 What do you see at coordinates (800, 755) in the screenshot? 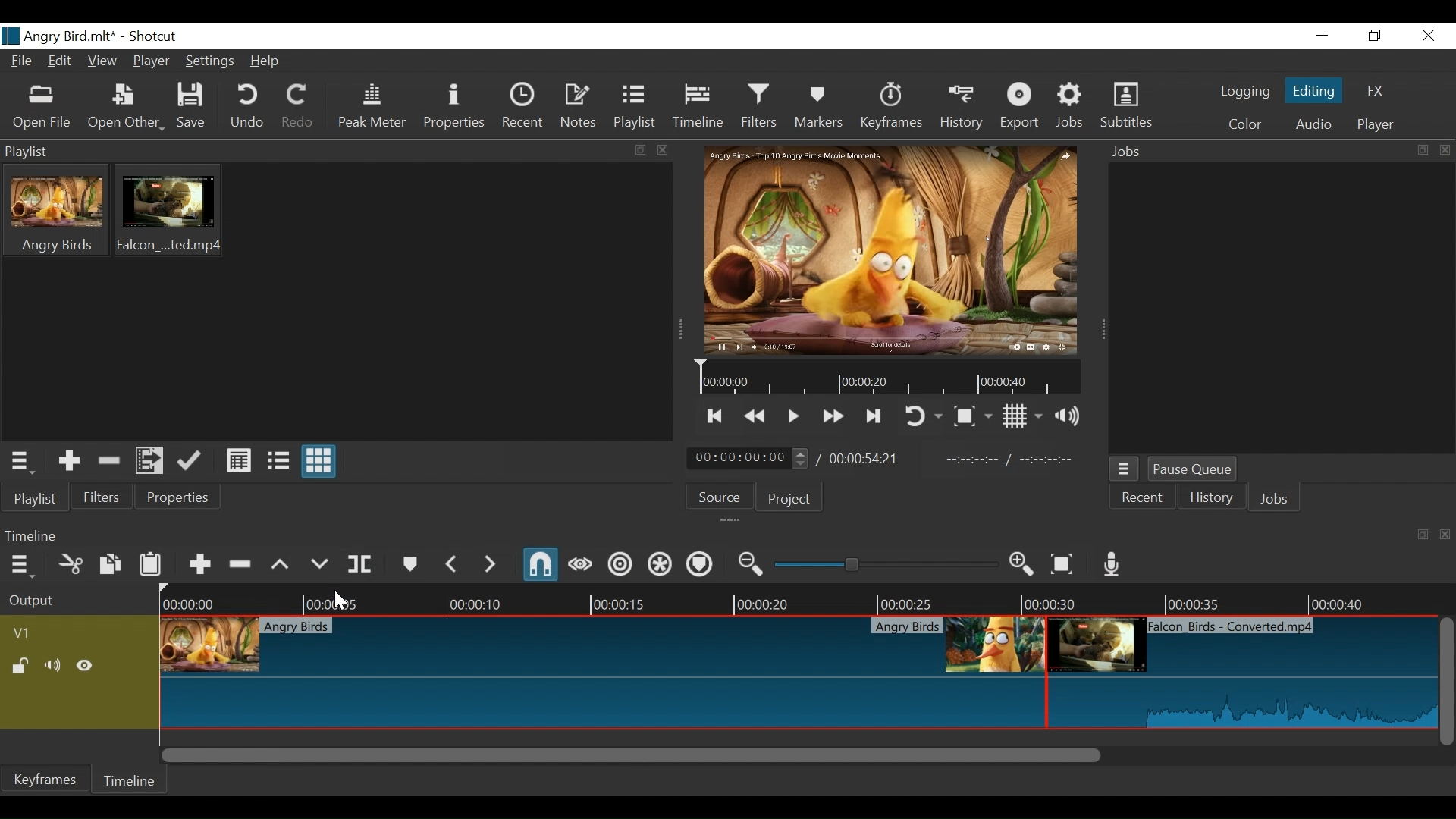
I see `Scroll bar` at bounding box center [800, 755].